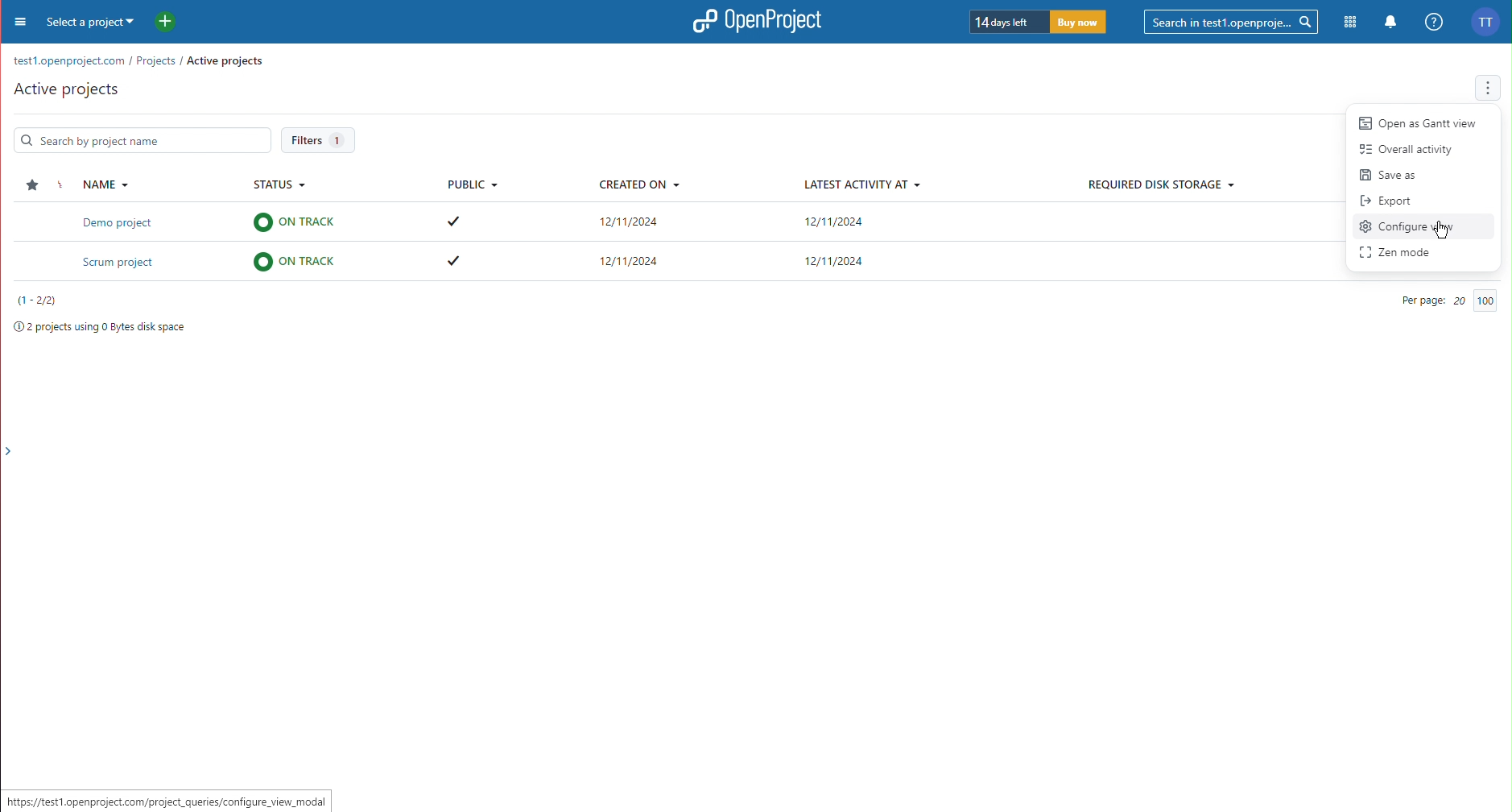  I want to click on OpenProject, so click(756, 20).